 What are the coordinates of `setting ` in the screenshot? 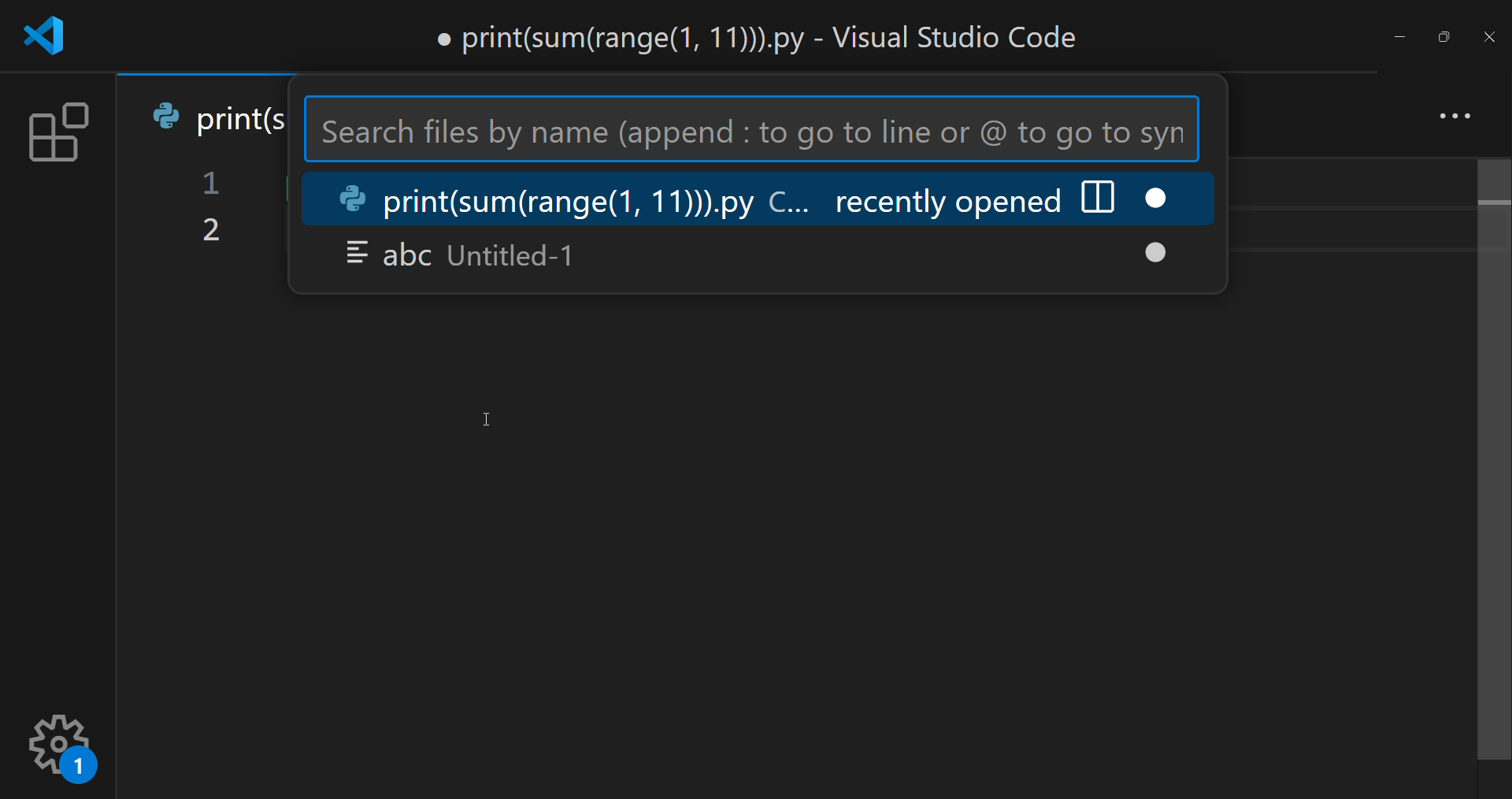 It's located at (61, 743).